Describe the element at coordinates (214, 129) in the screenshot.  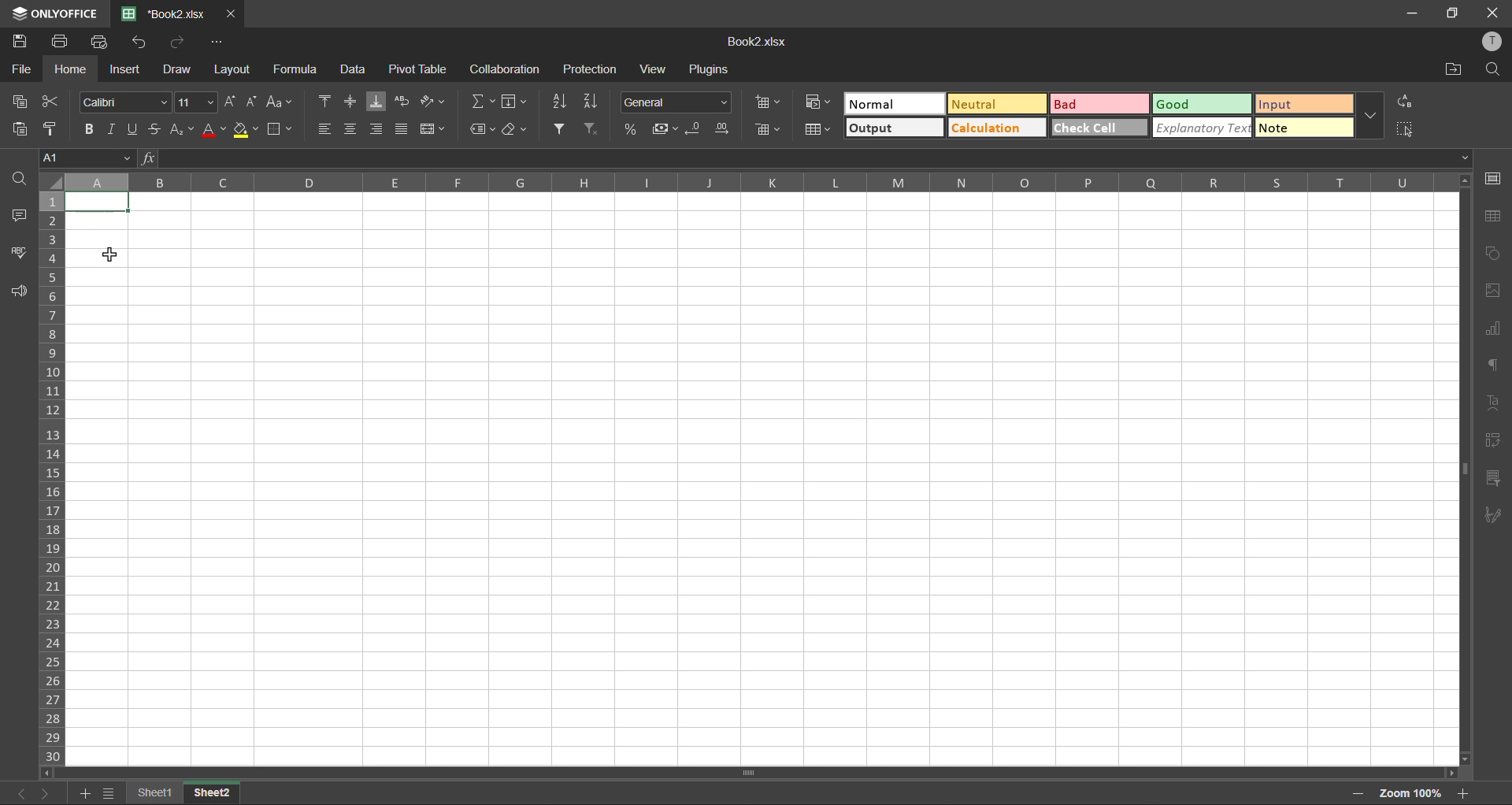
I see `font color` at that location.